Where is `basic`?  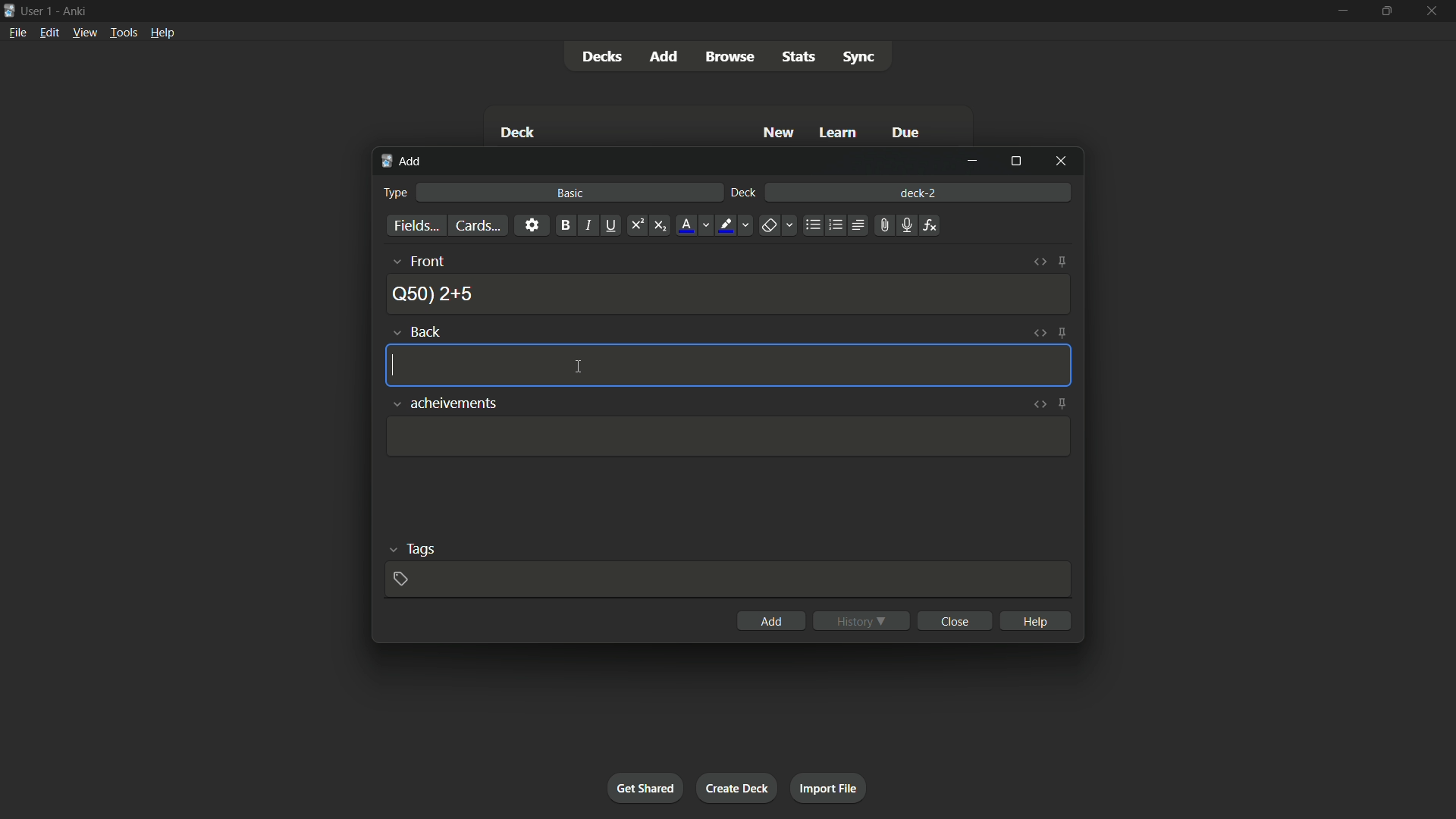
basic is located at coordinates (572, 193).